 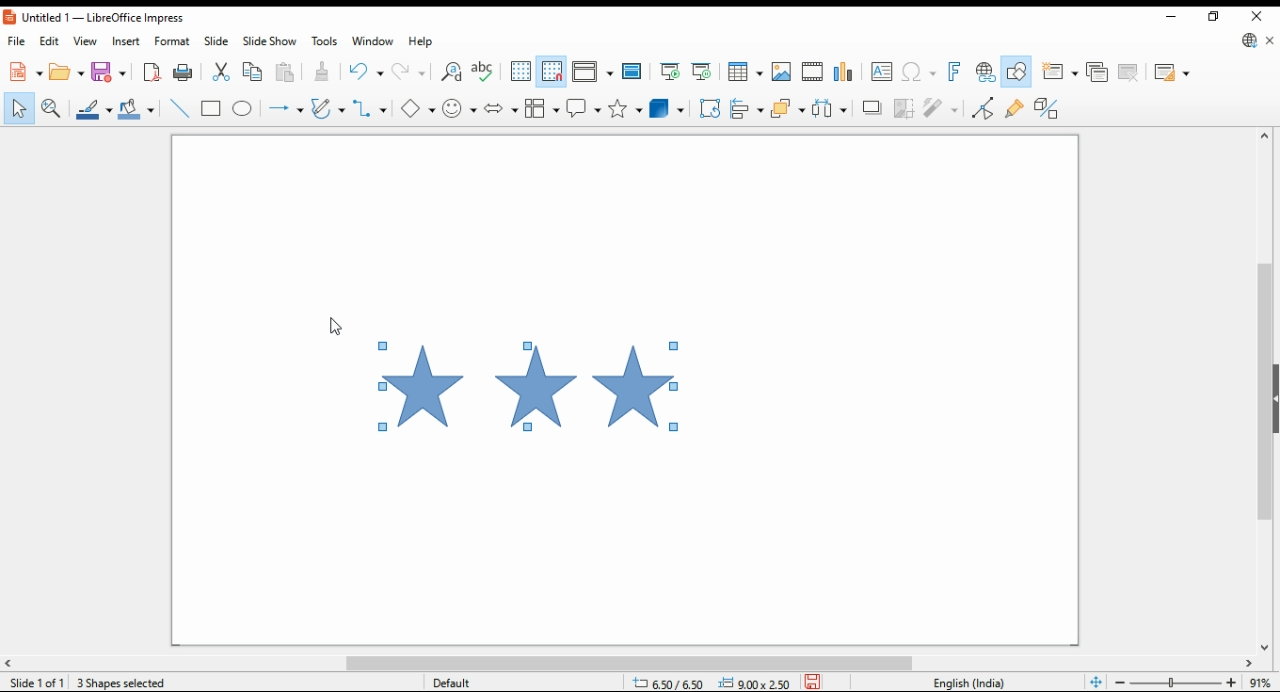 I want to click on flowchart, so click(x=541, y=108).